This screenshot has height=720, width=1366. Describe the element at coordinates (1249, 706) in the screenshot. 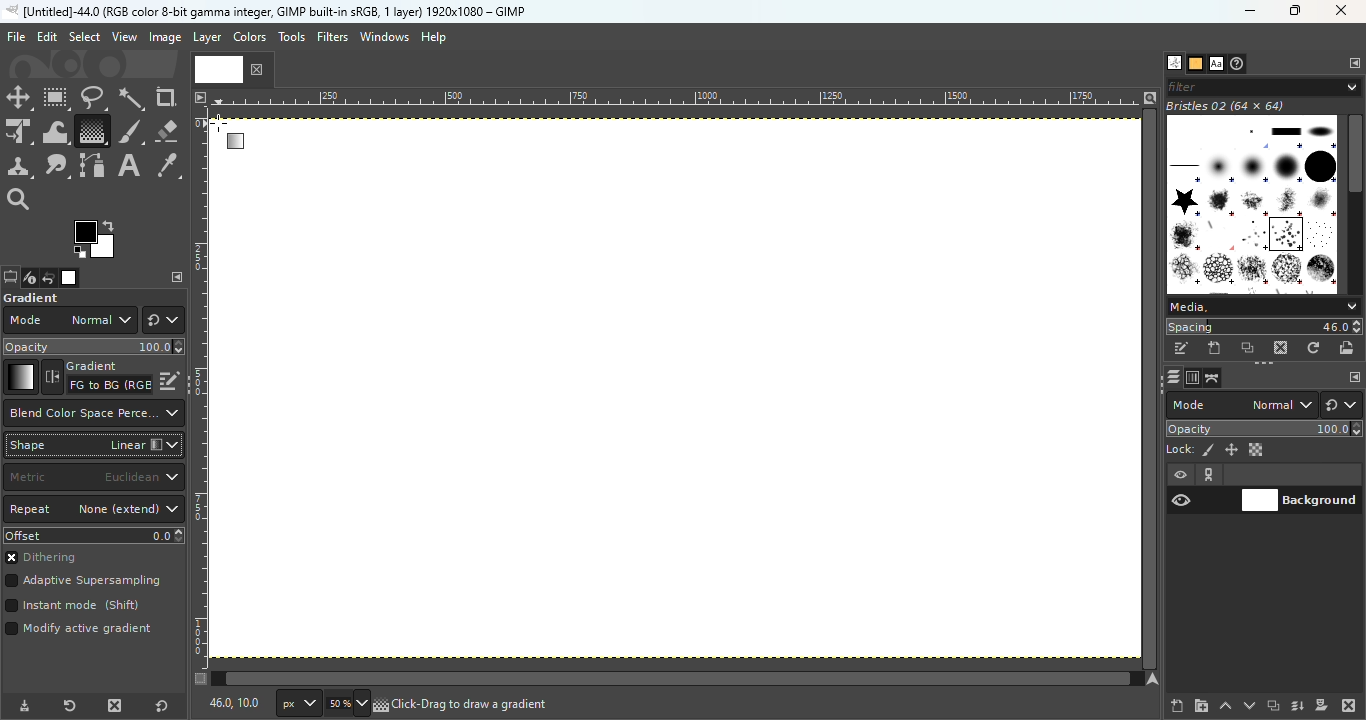

I see `Lower this layer one step in the layer stack` at that location.